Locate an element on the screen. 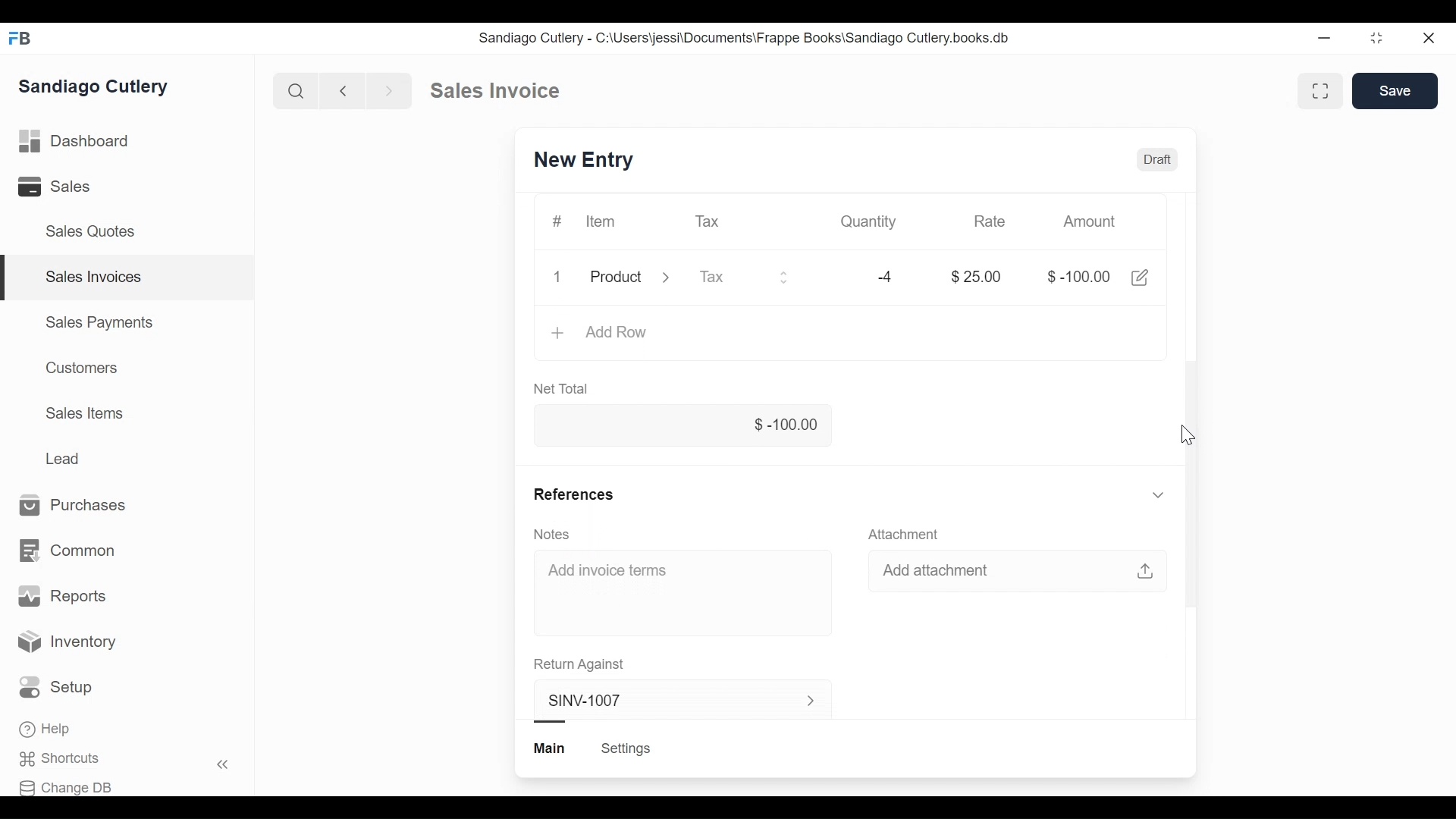 The height and width of the screenshot is (819, 1456). Close is located at coordinates (1432, 39).